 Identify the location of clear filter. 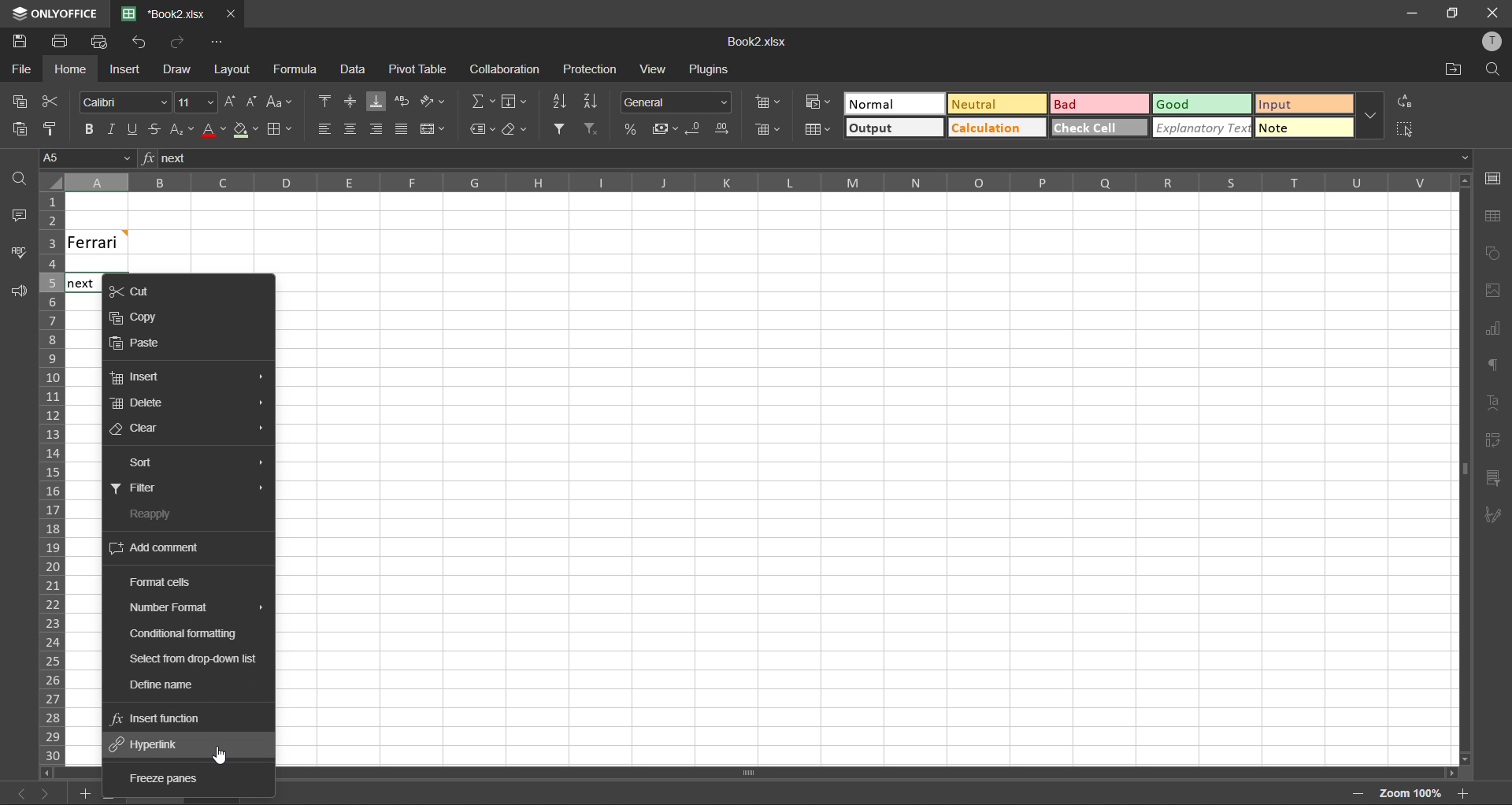
(591, 127).